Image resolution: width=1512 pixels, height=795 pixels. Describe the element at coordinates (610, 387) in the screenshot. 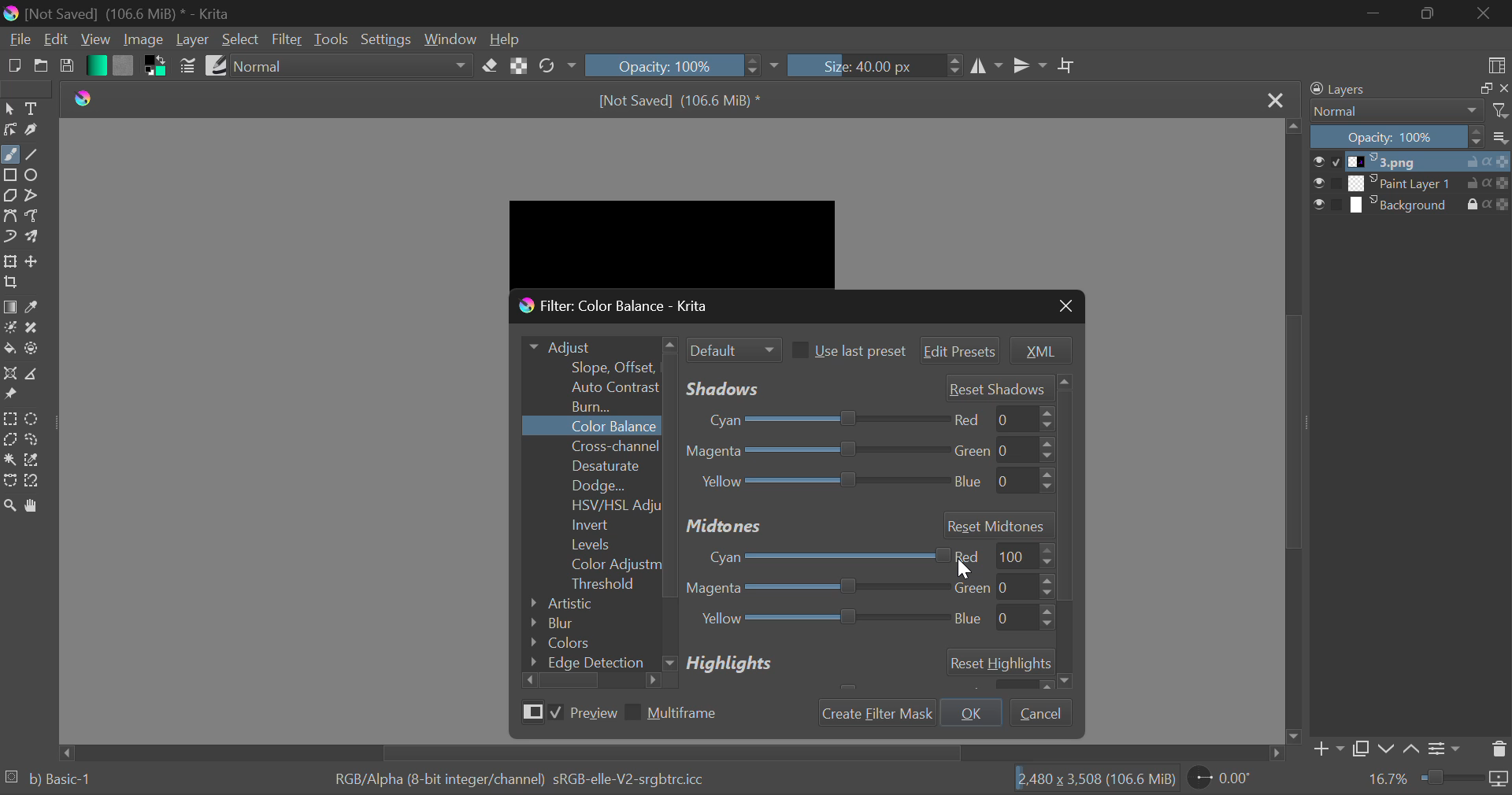

I see `Auto Contrast` at that location.